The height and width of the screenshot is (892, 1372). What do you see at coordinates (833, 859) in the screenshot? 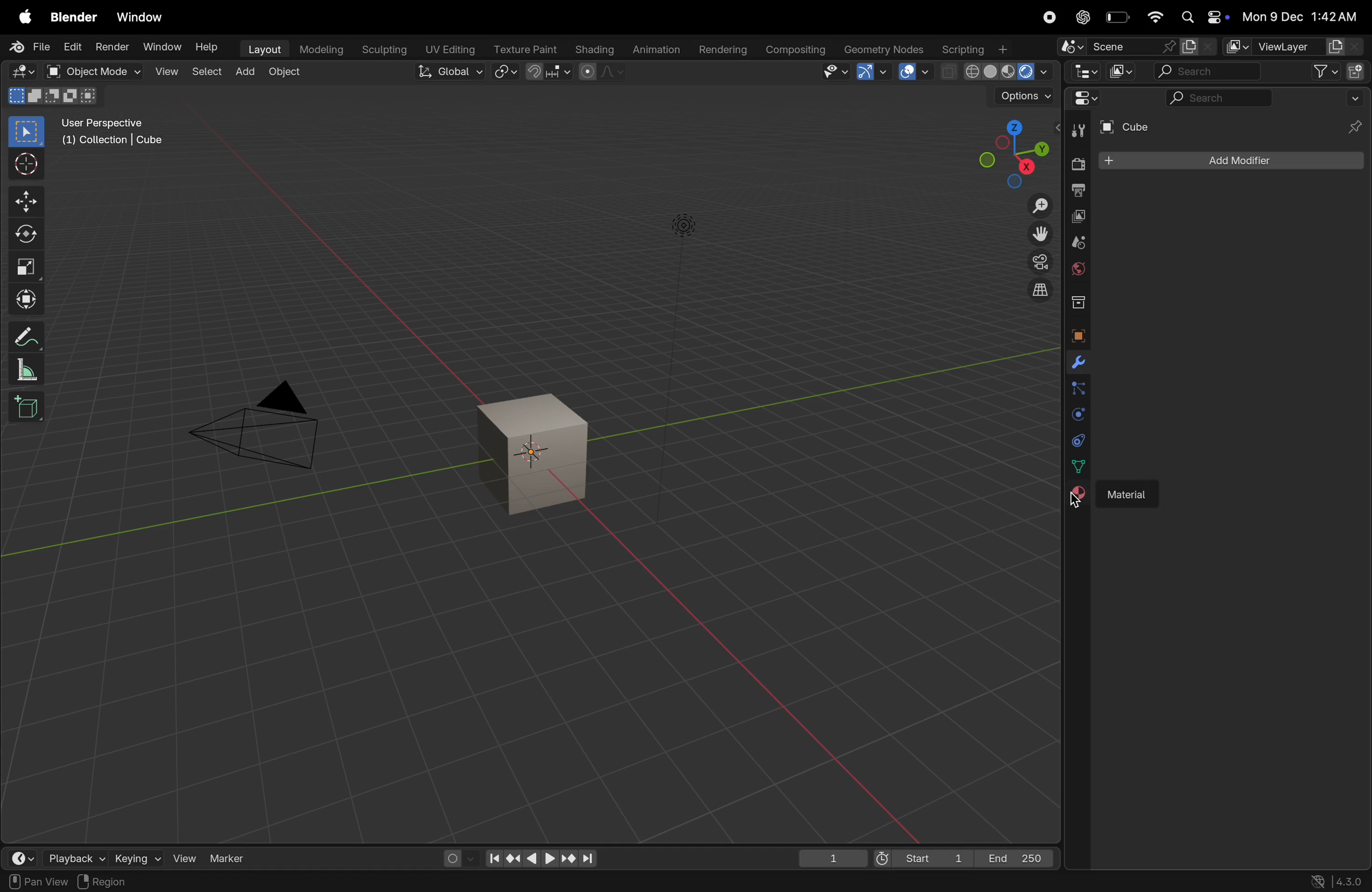
I see `1` at bounding box center [833, 859].